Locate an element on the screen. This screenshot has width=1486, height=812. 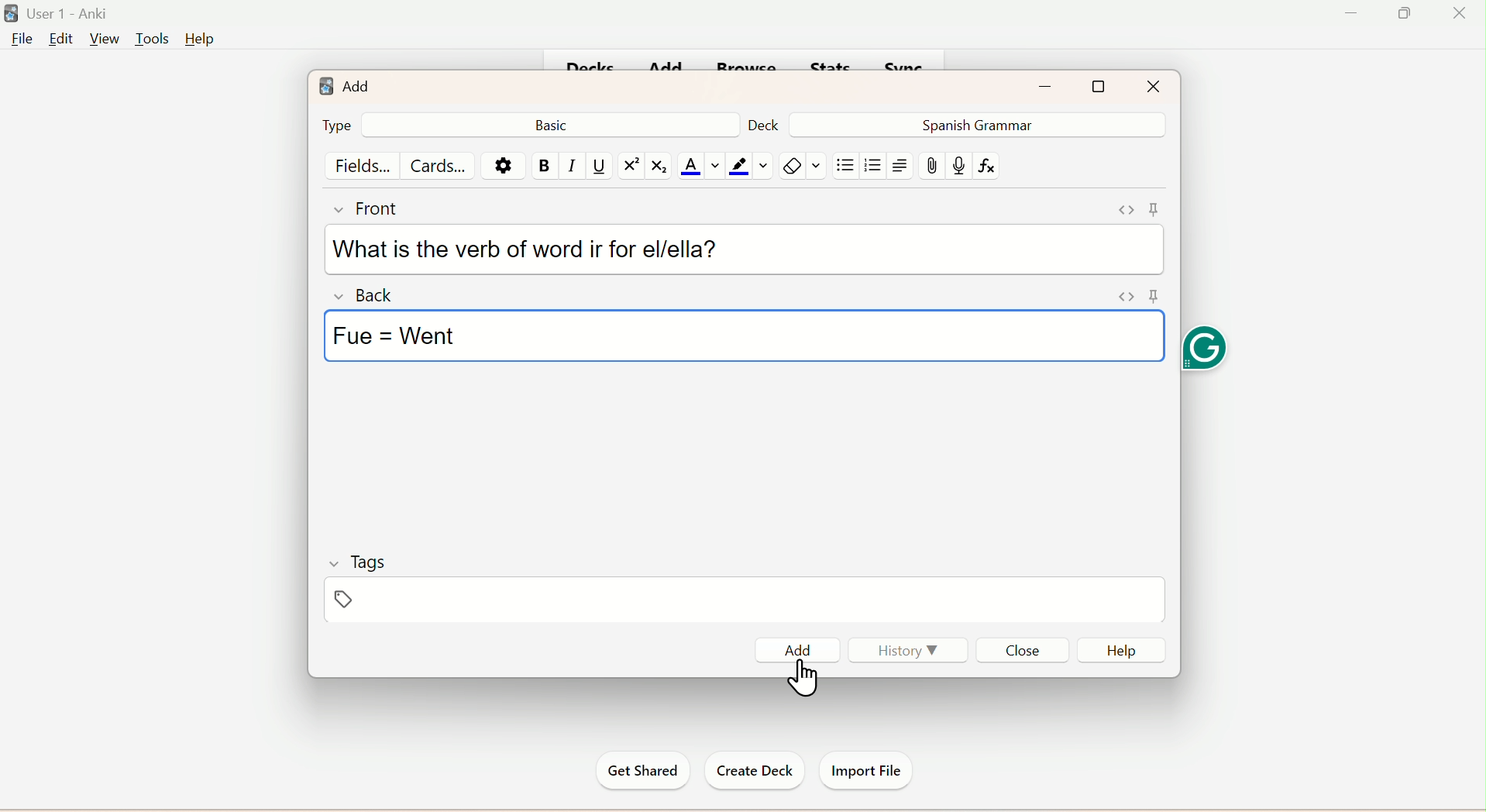
mic is located at coordinates (958, 168).